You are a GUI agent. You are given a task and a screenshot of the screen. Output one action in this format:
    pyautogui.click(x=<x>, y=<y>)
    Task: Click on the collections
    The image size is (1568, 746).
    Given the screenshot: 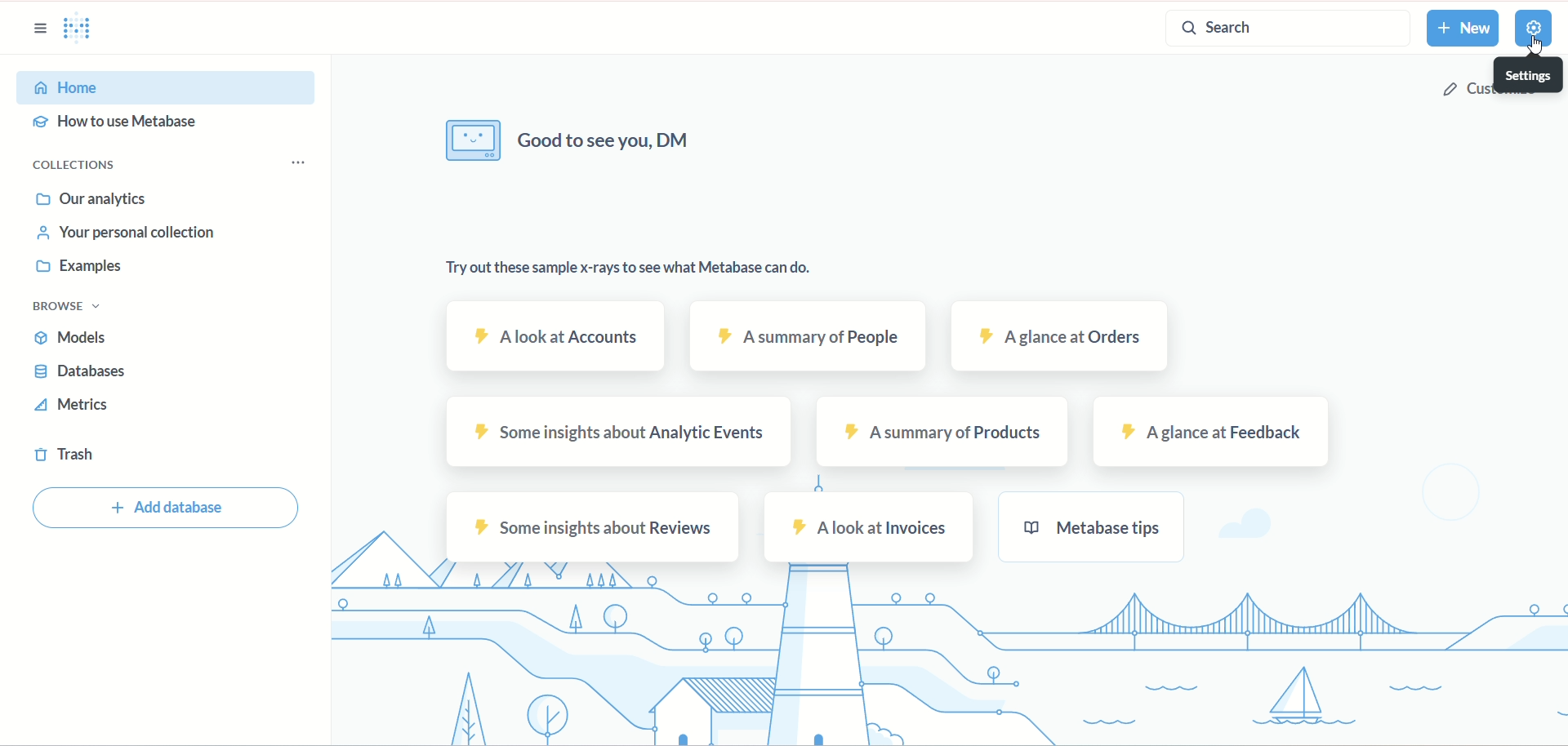 What is the action you would take?
    pyautogui.click(x=81, y=167)
    